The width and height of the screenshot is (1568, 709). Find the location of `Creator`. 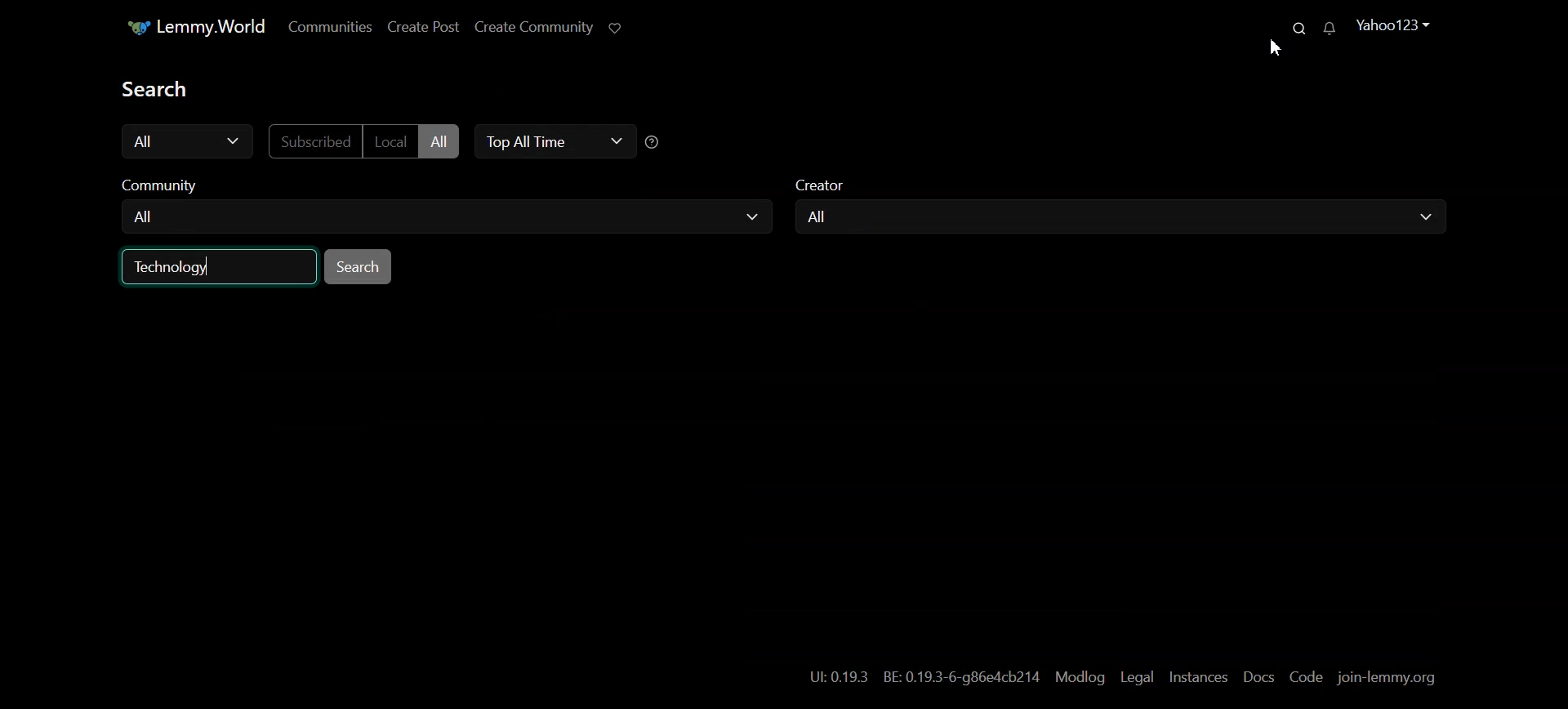

Creator is located at coordinates (826, 184).